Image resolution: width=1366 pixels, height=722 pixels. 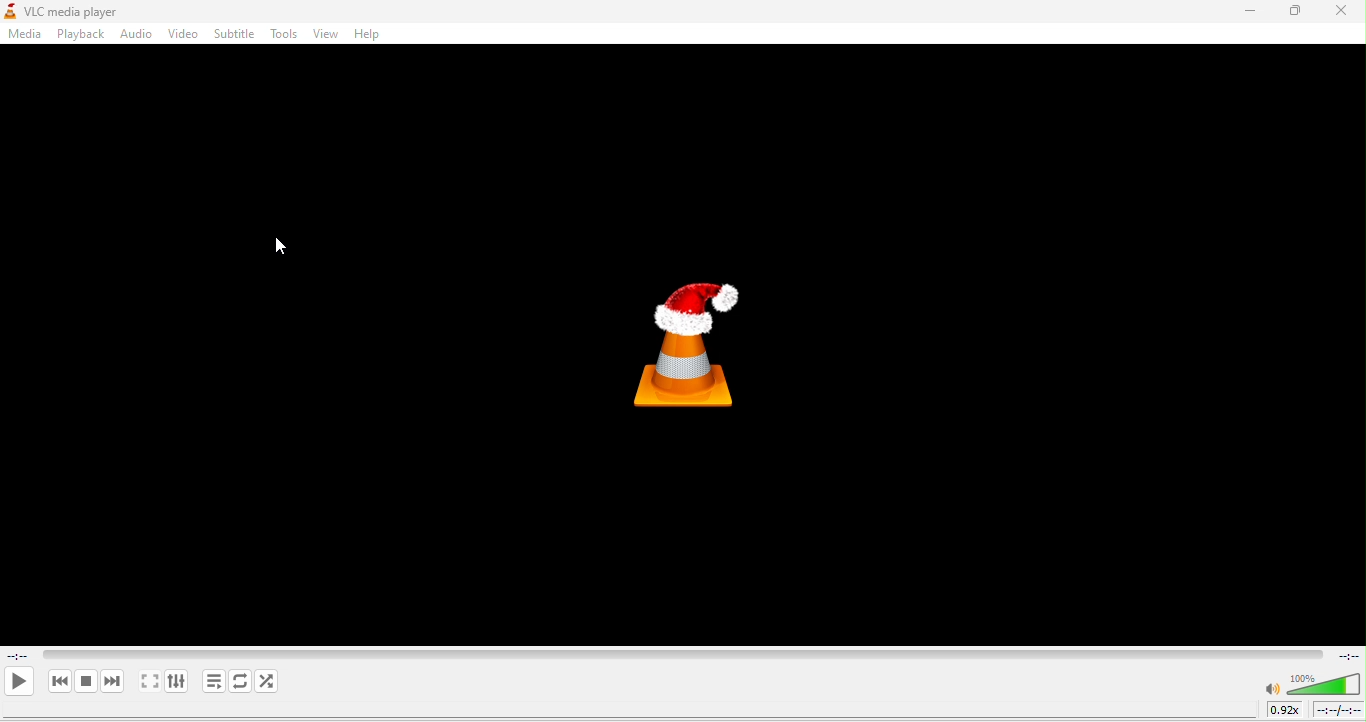 I want to click on icon, so click(x=686, y=345).